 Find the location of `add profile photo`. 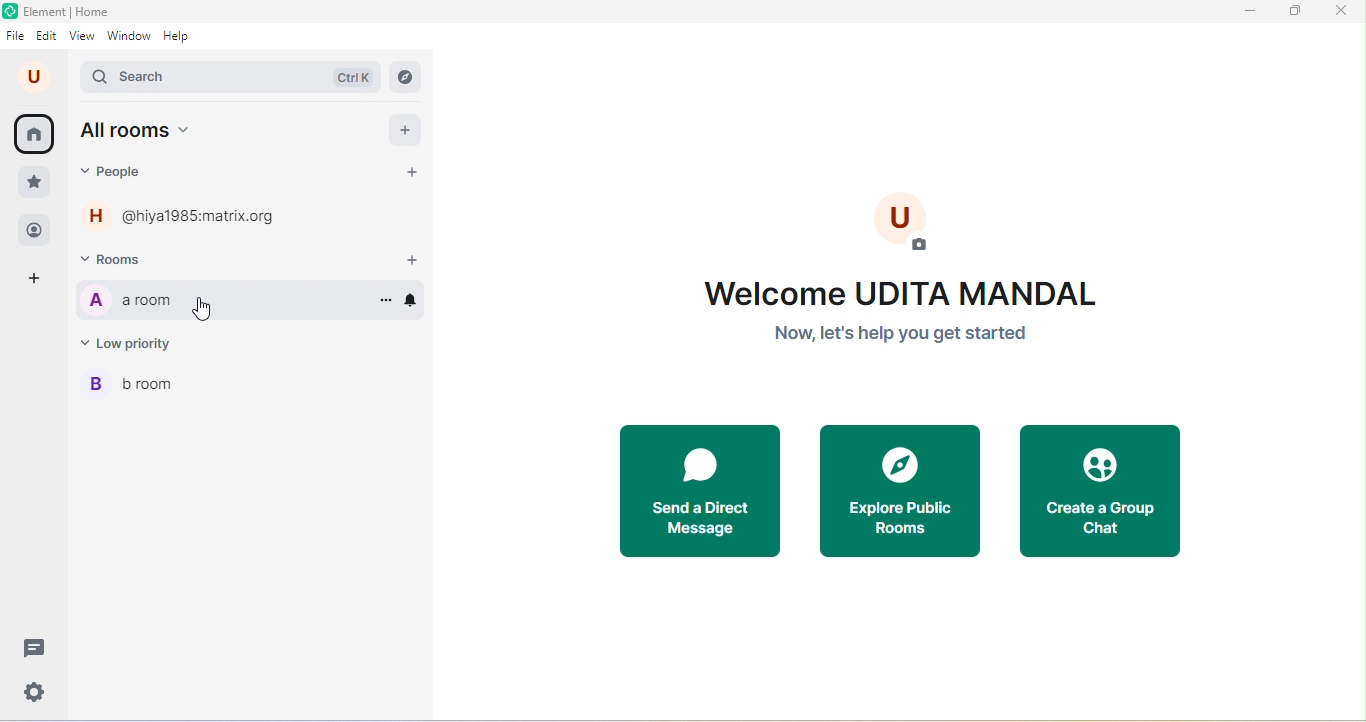

add profile photo is located at coordinates (902, 224).